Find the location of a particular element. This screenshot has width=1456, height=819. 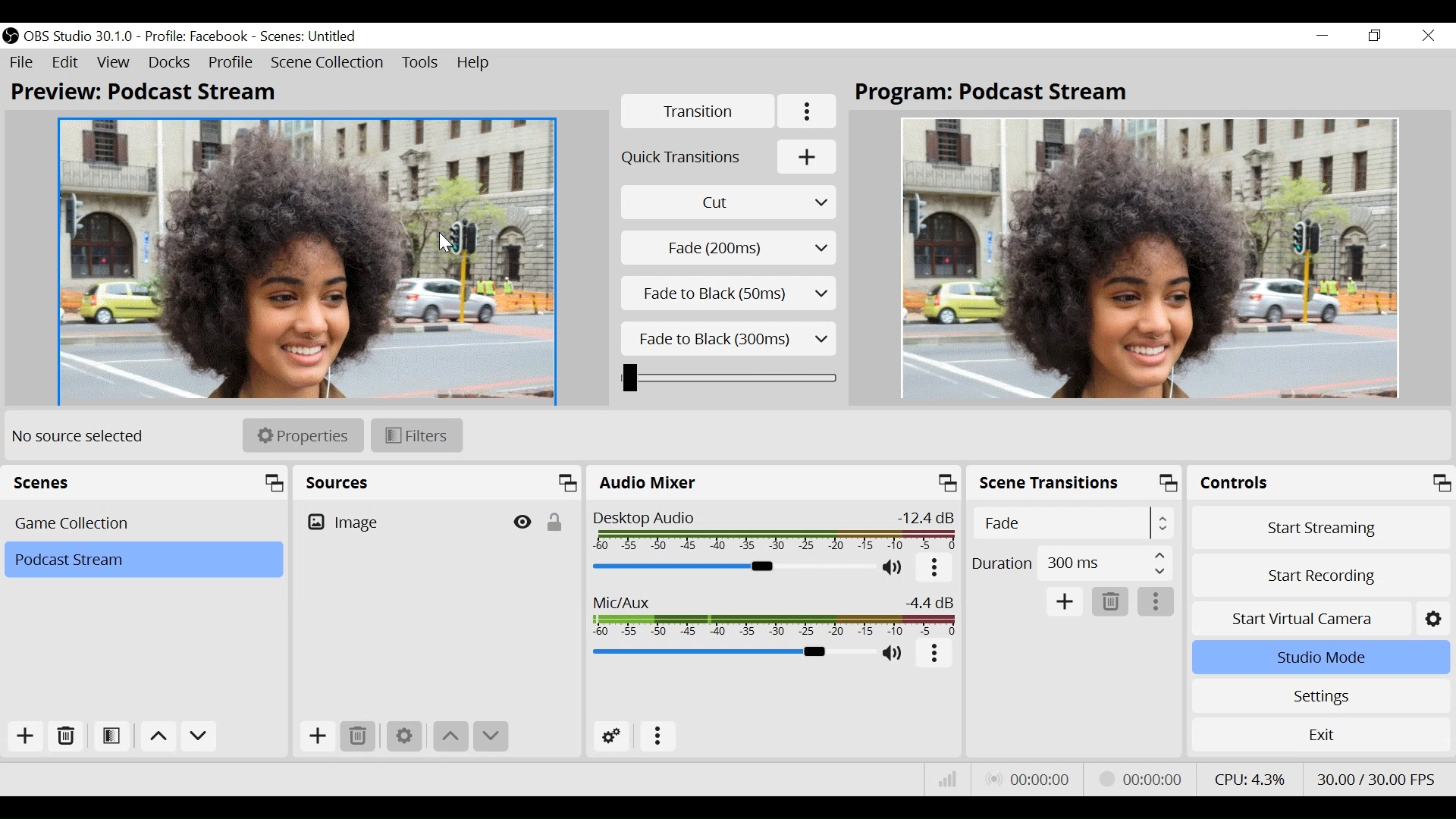

Remove is located at coordinates (64, 736).